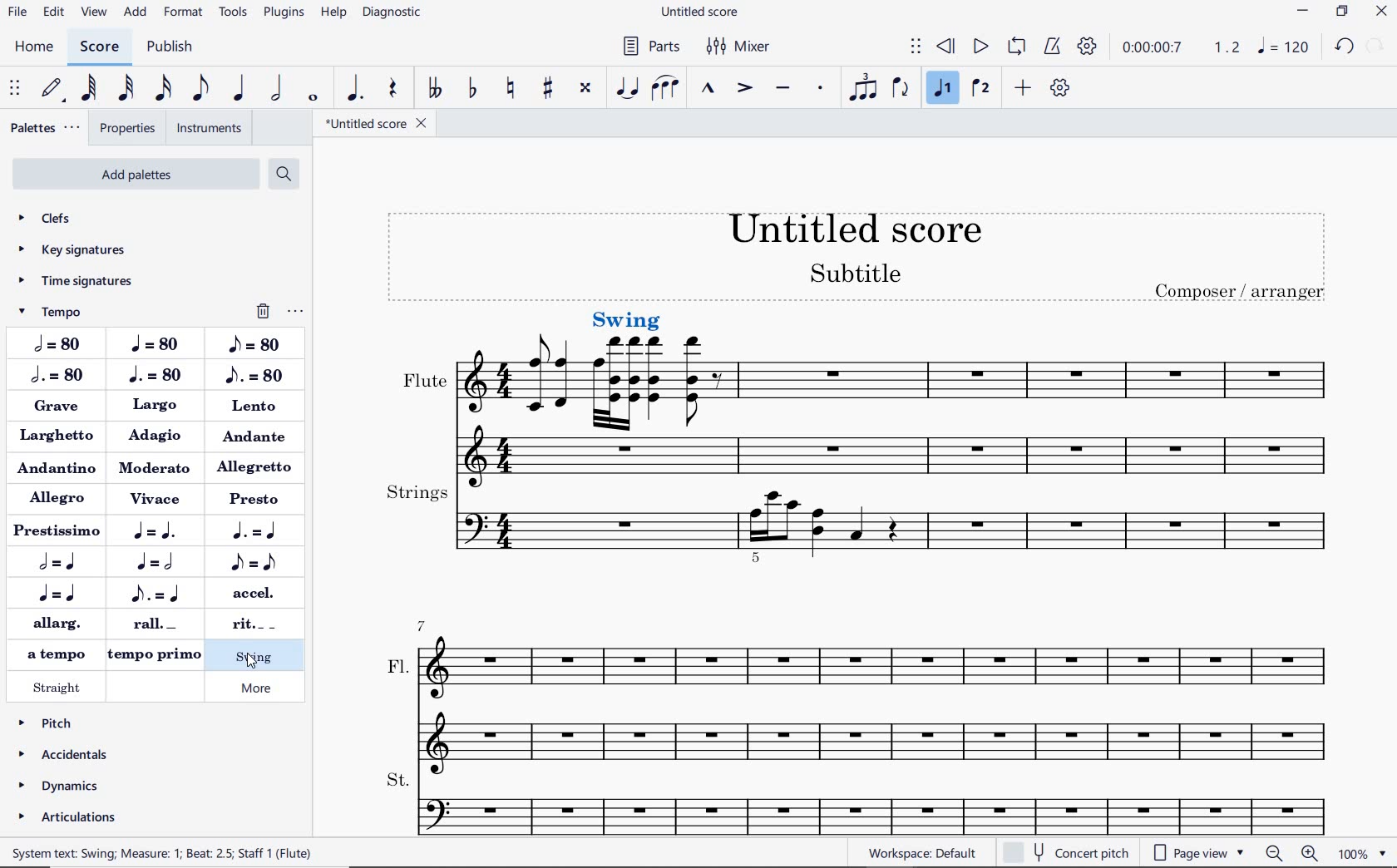  I want to click on ALLEGRO, so click(61, 499).